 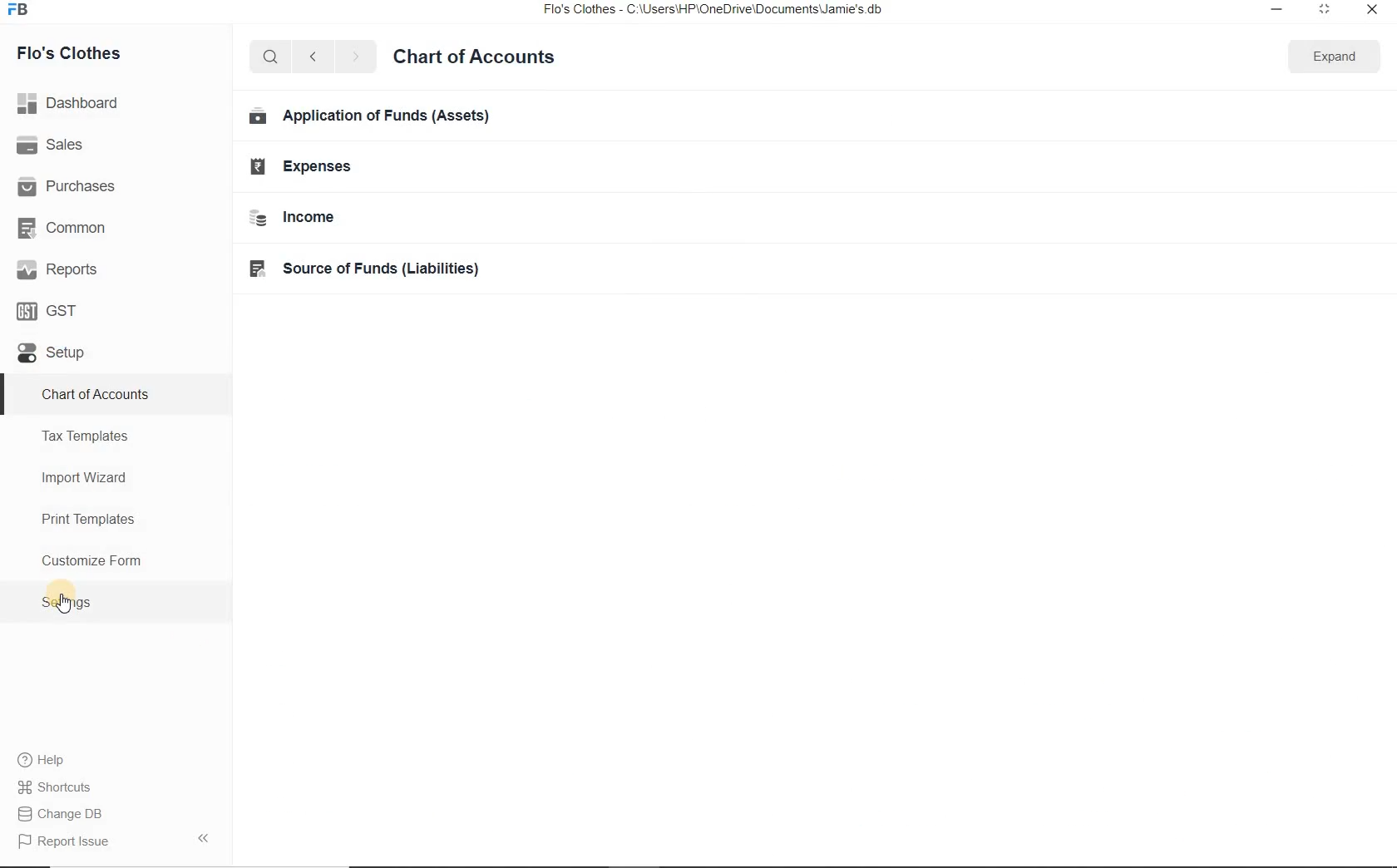 What do you see at coordinates (310, 56) in the screenshot?
I see `Previous` at bounding box center [310, 56].